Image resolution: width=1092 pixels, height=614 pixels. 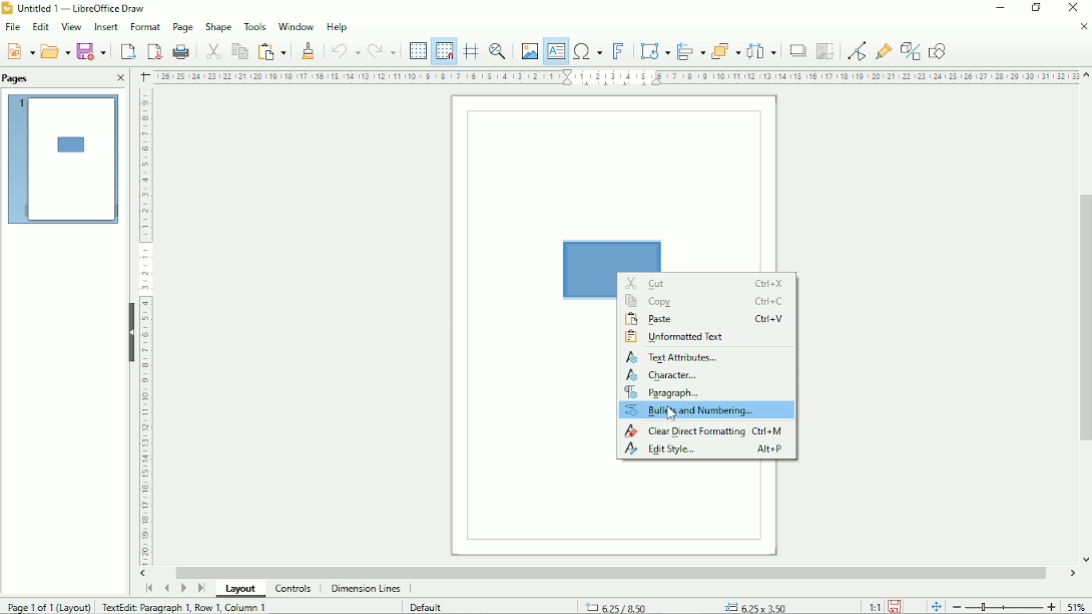 What do you see at coordinates (911, 50) in the screenshot?
I see `Toggle extrusion` at bounding box center [911, 50].